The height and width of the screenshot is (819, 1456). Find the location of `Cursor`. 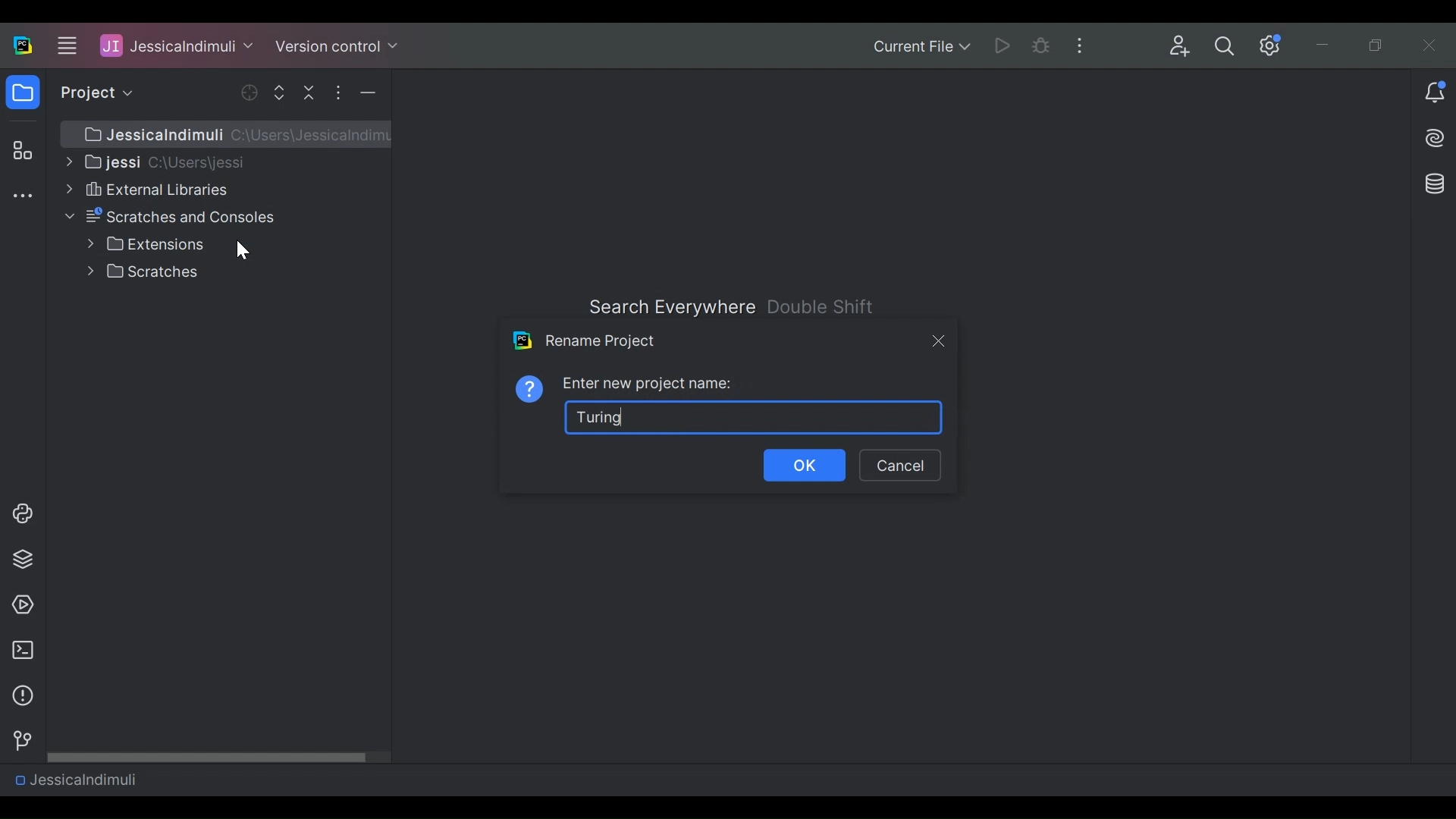

Cursor is located at coordinates (241, 249).